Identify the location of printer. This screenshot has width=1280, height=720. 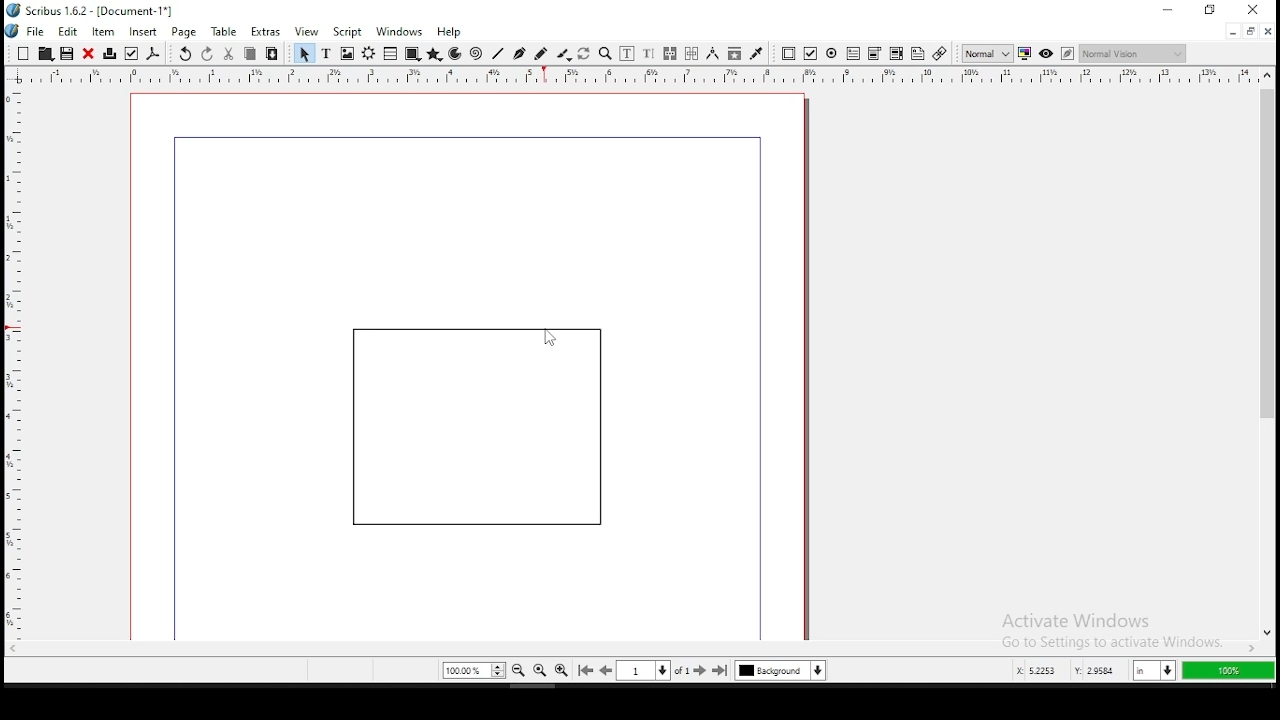
(109, 54).